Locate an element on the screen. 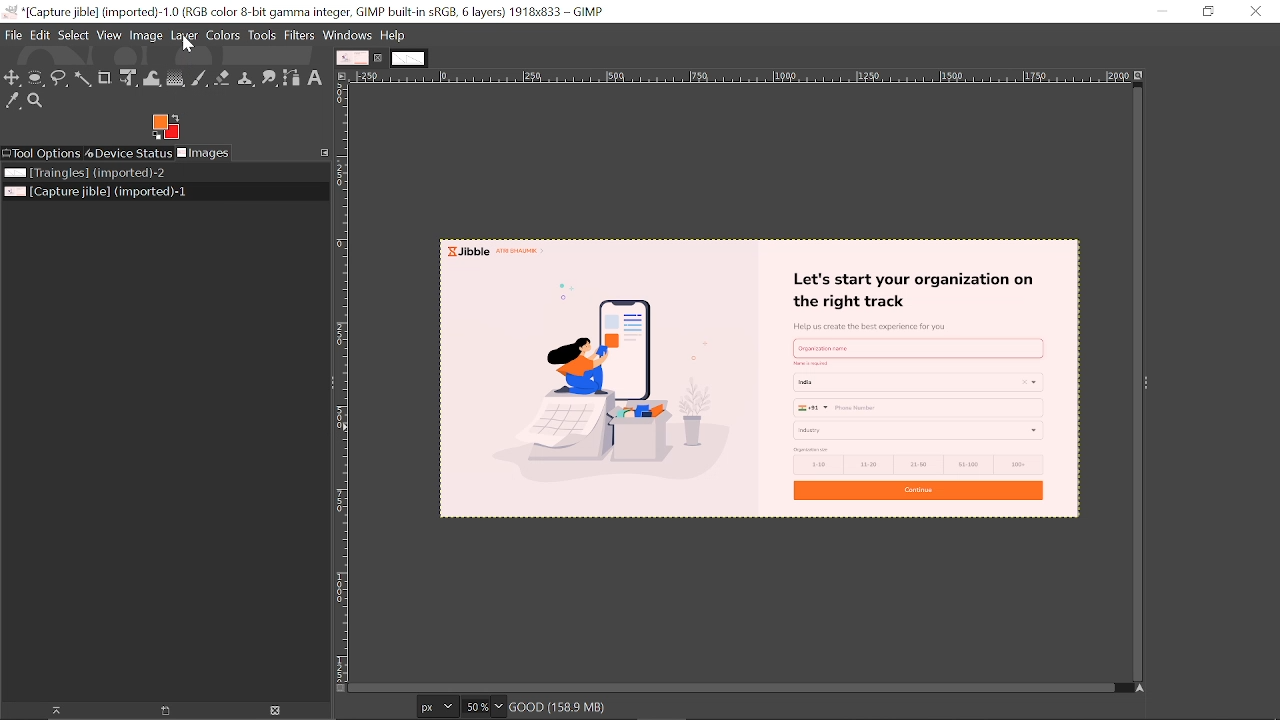  New display for the image is located at coordinates (156, 712).